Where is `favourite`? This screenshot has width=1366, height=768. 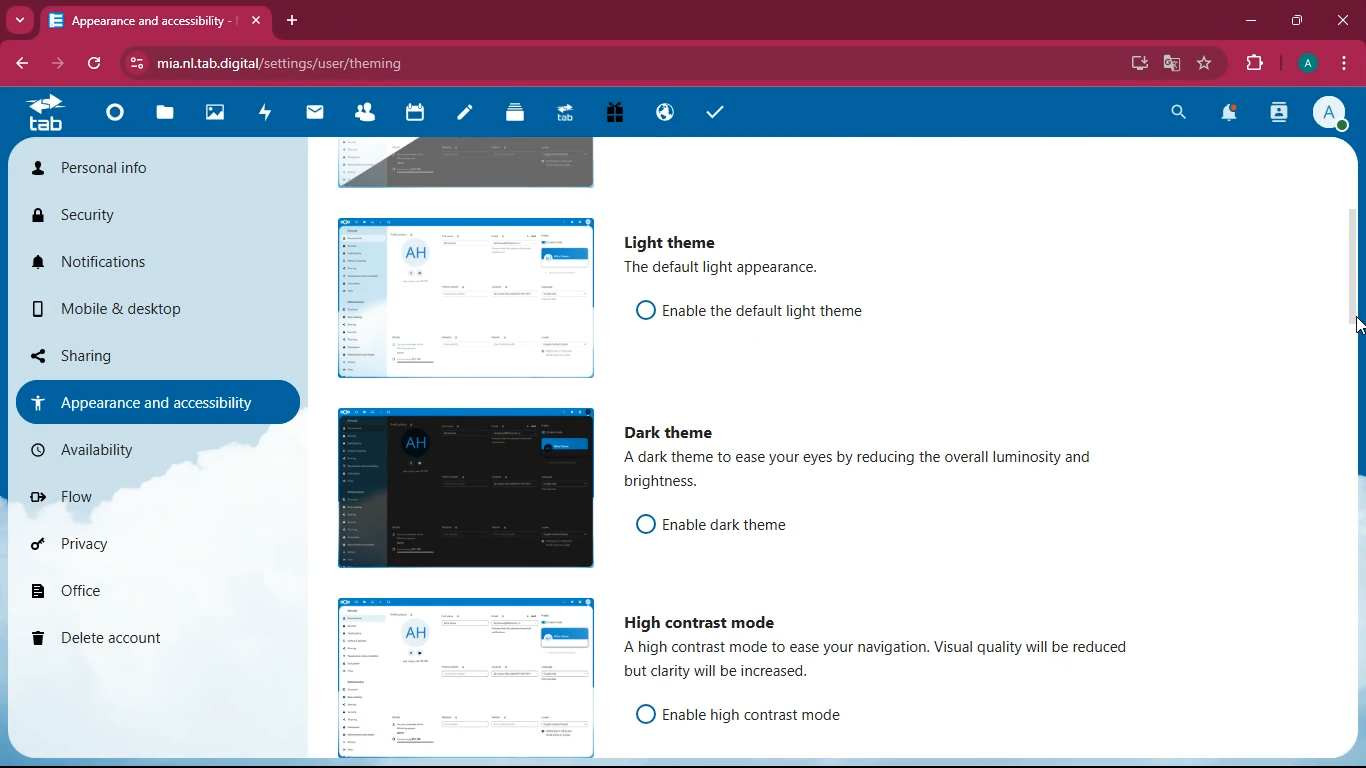 favourite is located at coordinates (1206, 65).